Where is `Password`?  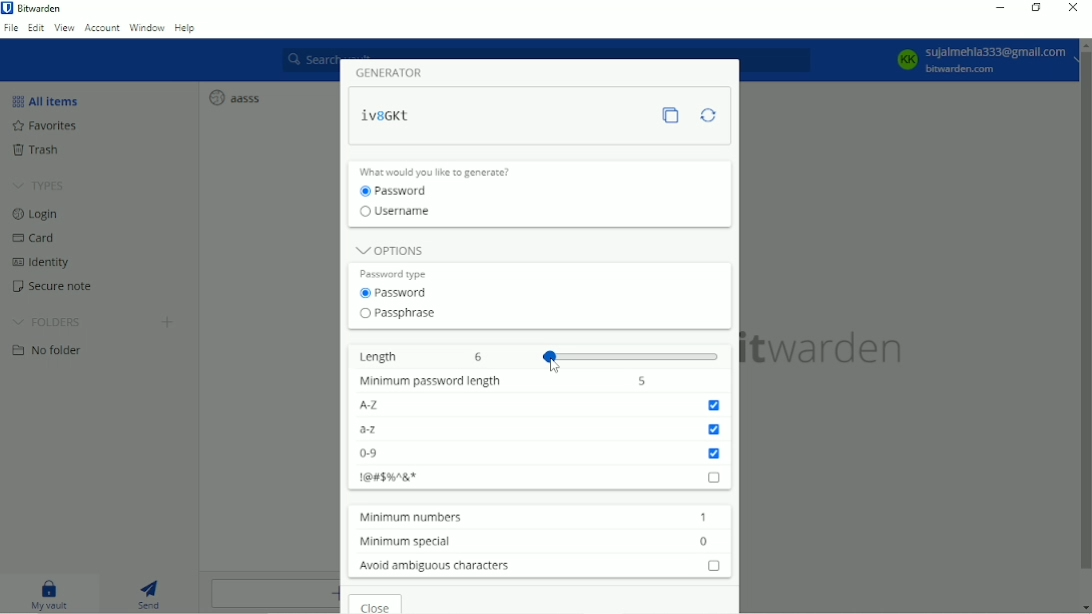
Password is located at coordinates (400, 191).